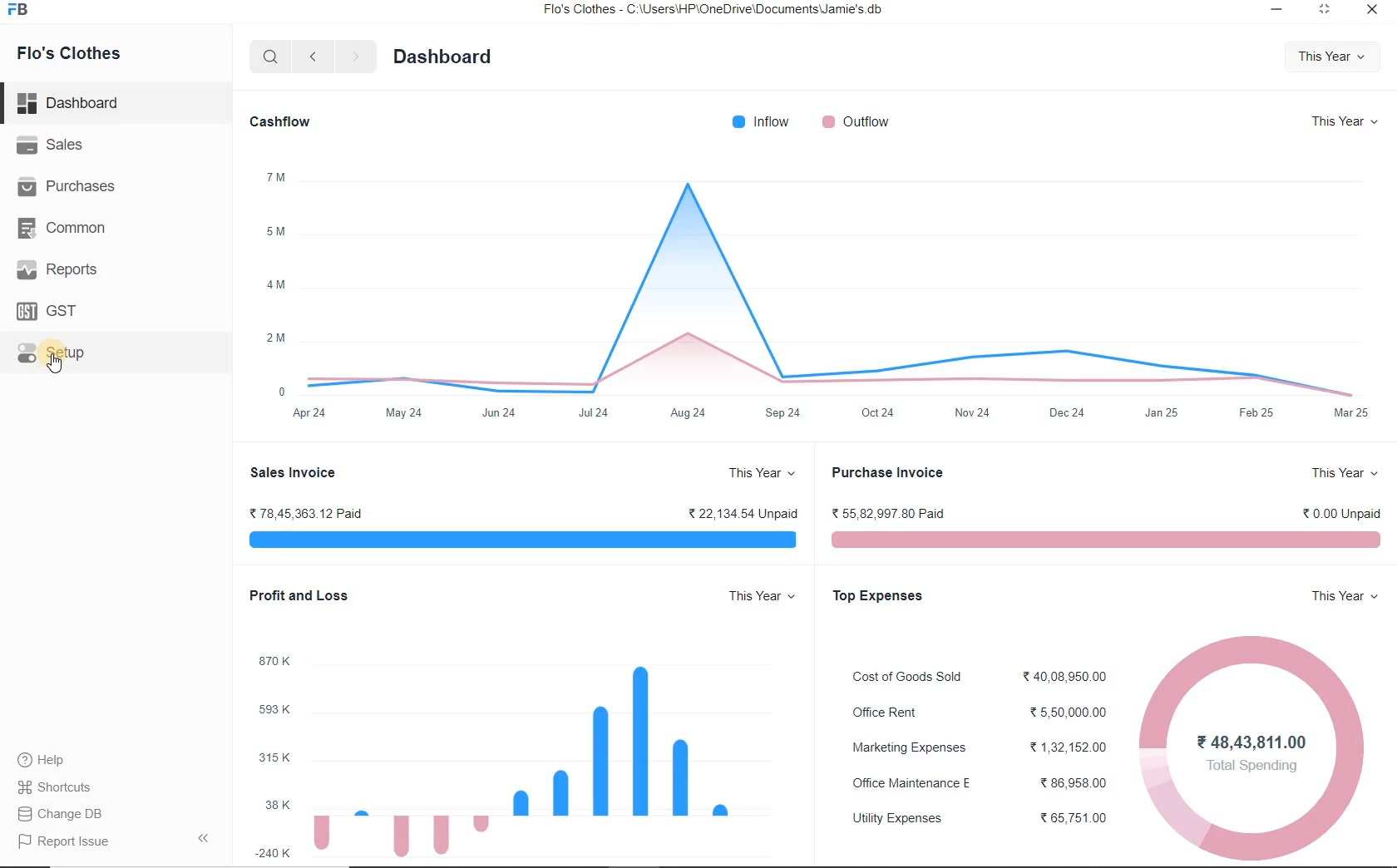 This screenshot has height=868, width=1397. What do you see at coordinates (1322, 10) in the screenshot?
I see `Expand` at bounding box center [1322, 10].